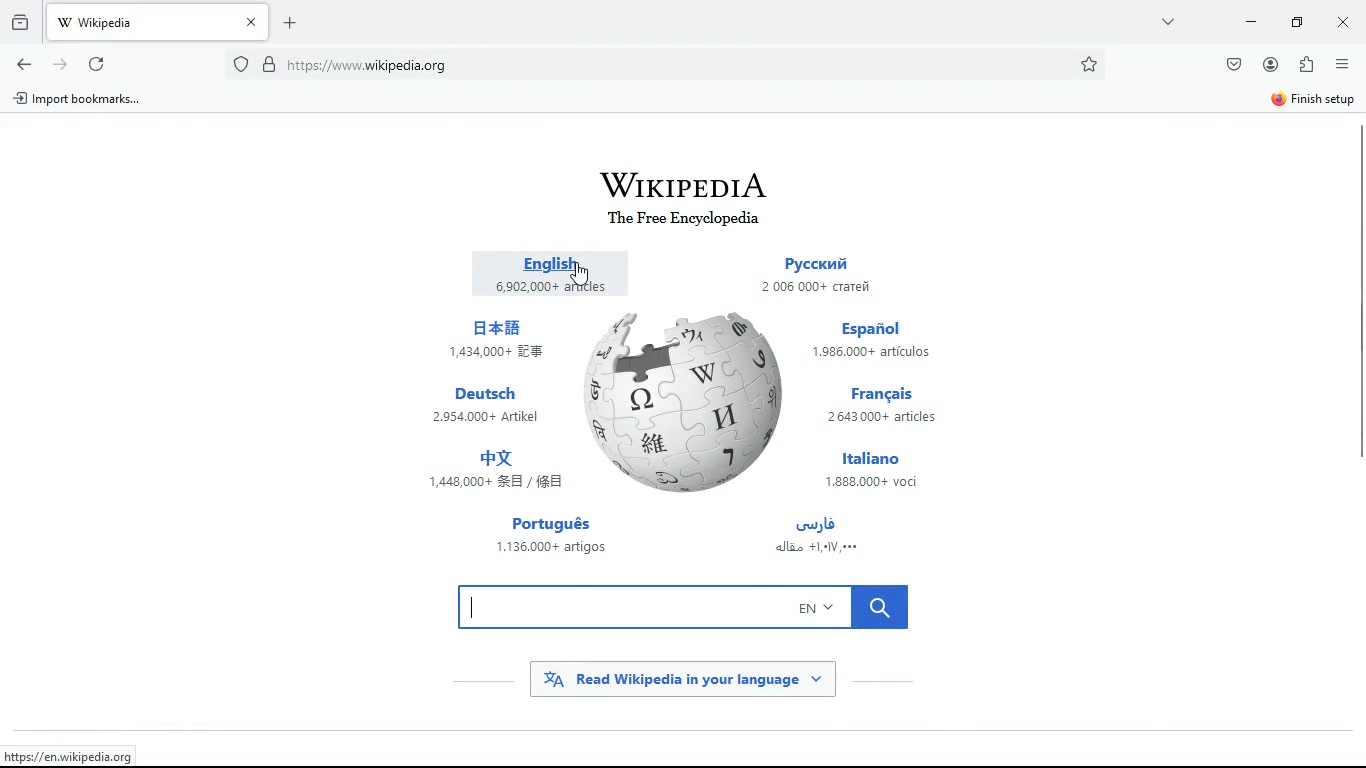 The image size is (1366, 768). I want to click on add new tab, so click(294, 21).